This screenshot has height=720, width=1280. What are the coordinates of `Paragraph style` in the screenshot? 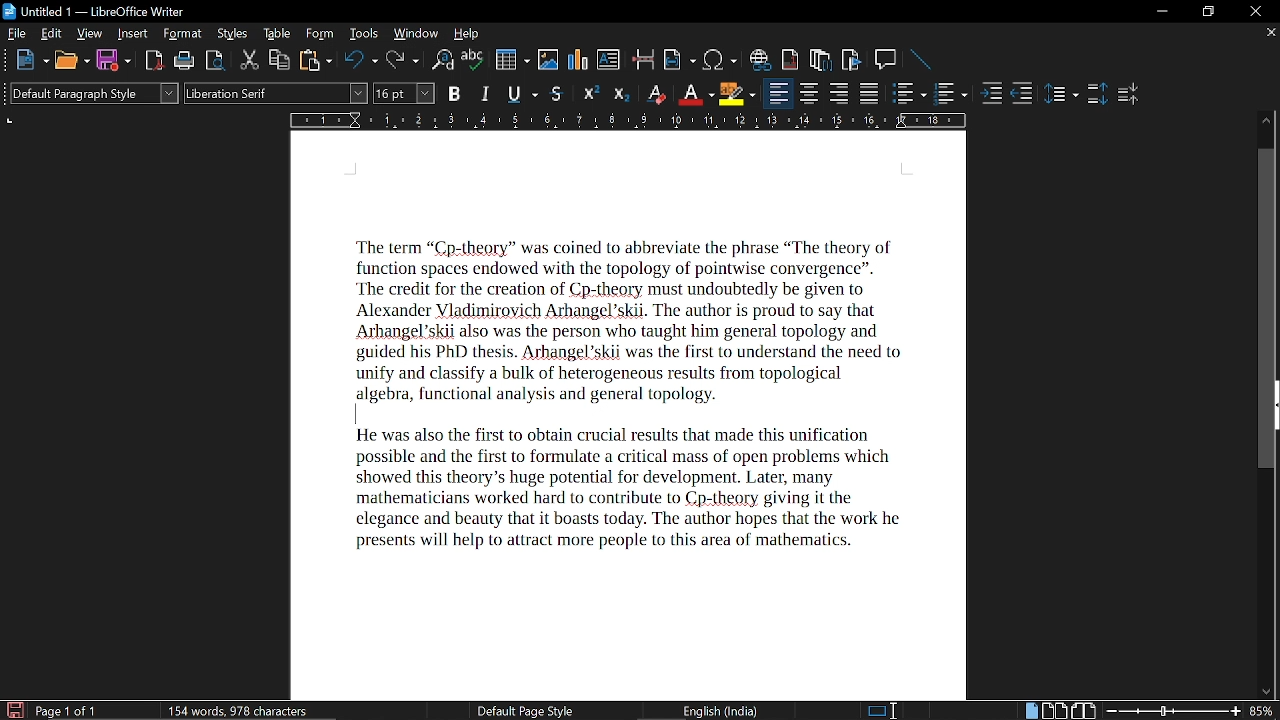 It's located at (90, 93).